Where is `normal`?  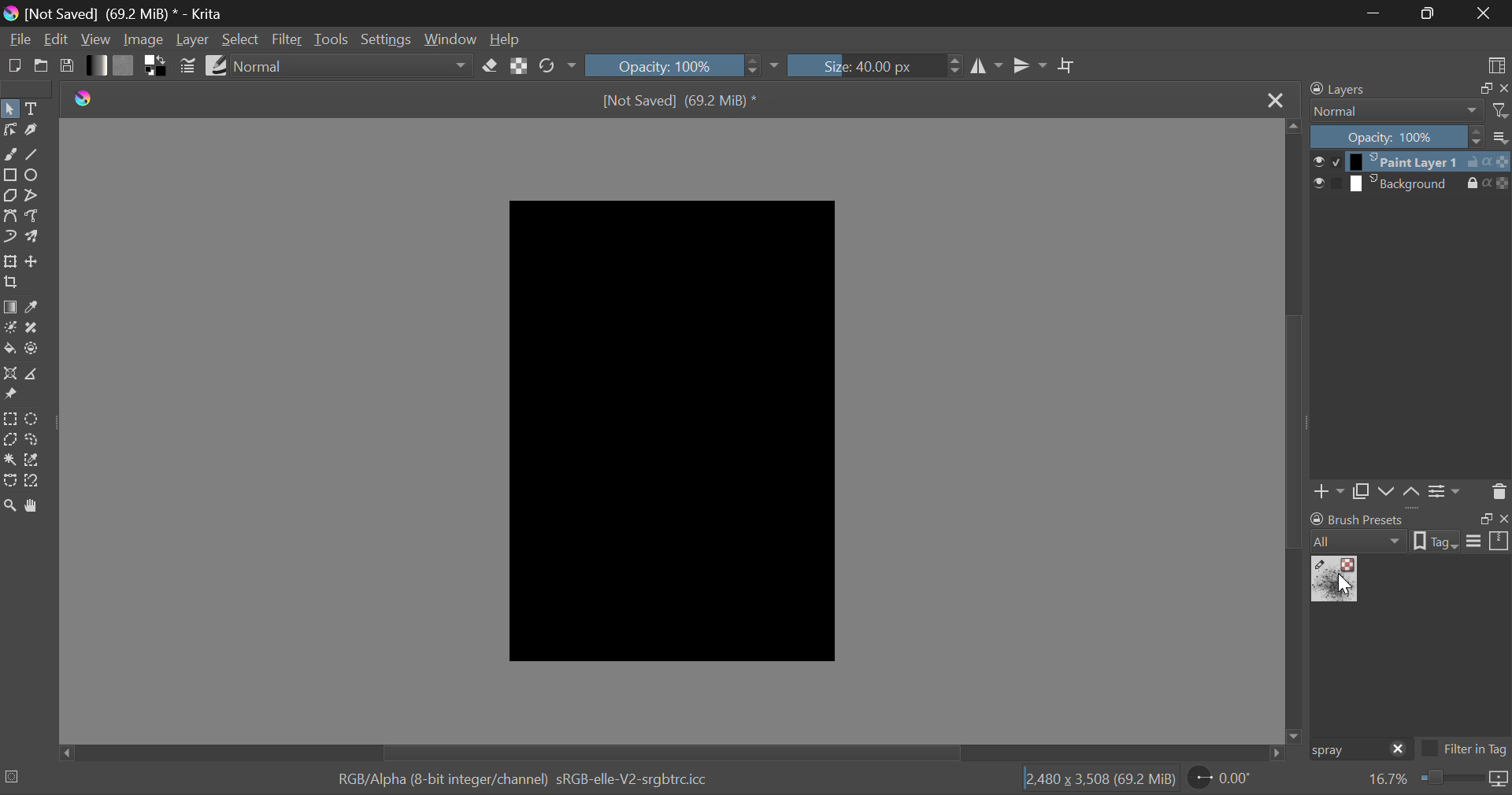
normal is located at coordinates (1397, 111).